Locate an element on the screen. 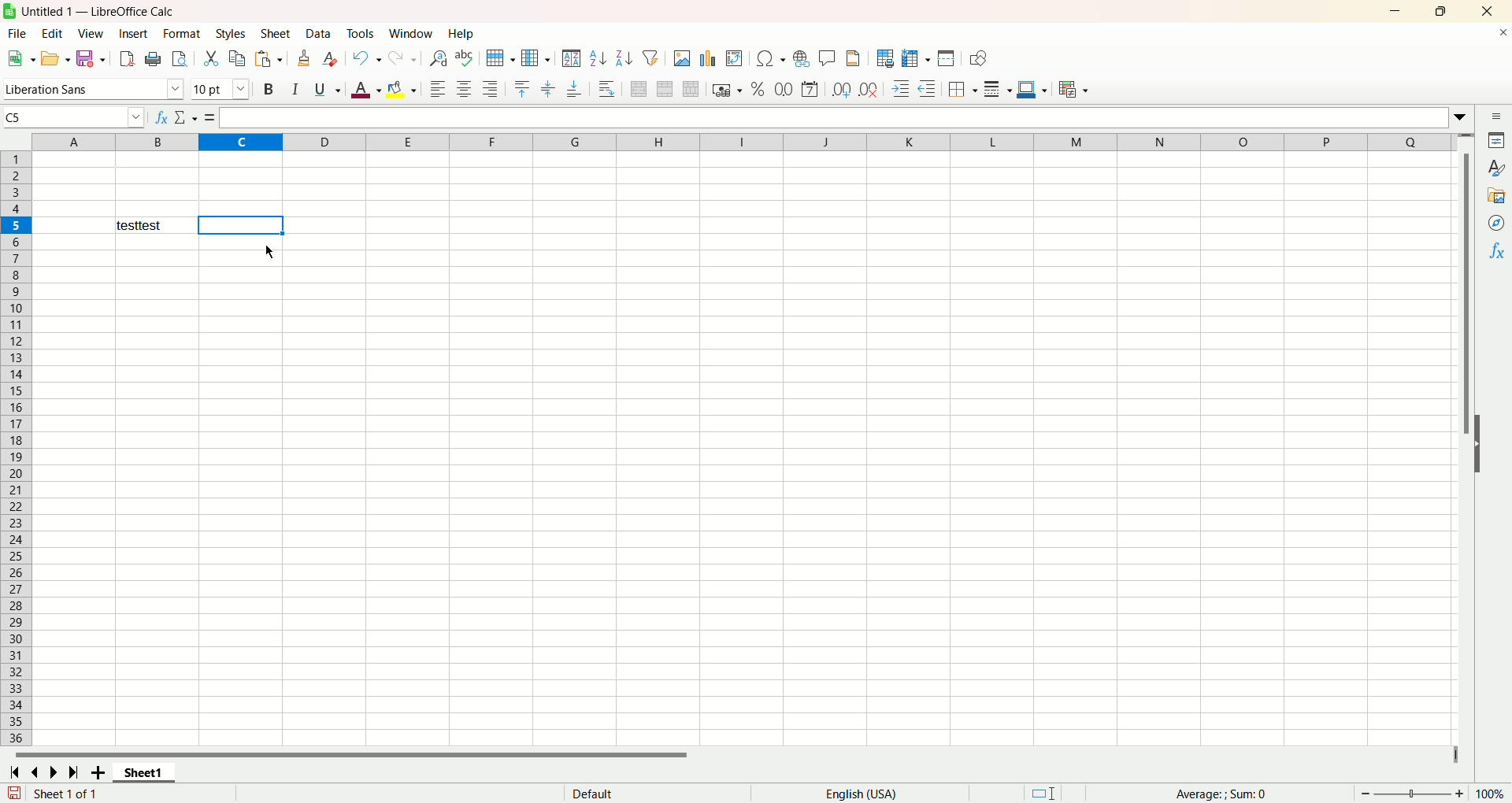  bold is located at coordinates (269, 91).